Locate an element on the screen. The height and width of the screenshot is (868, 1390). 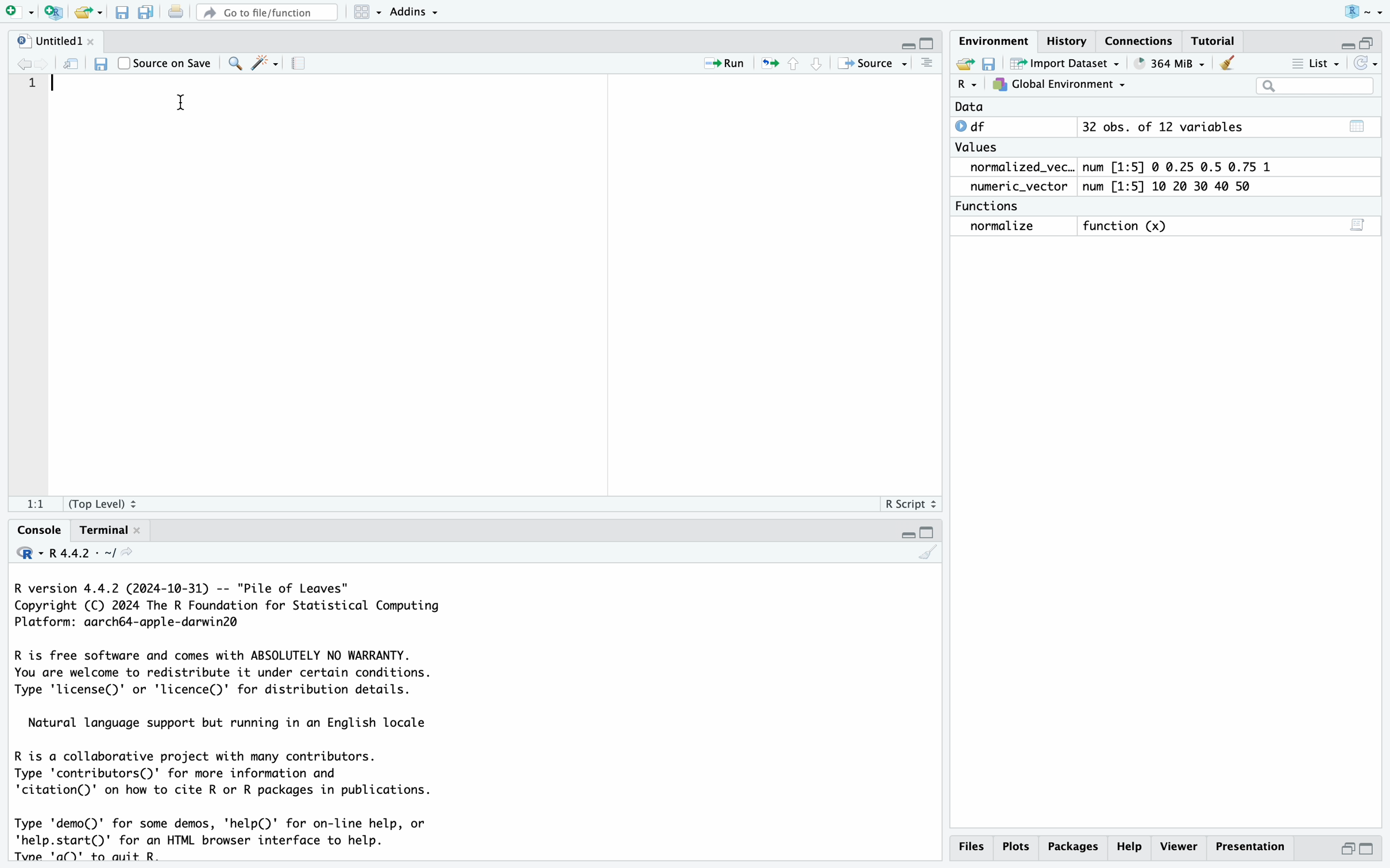
Connections is located at coordinates (1140, 41).